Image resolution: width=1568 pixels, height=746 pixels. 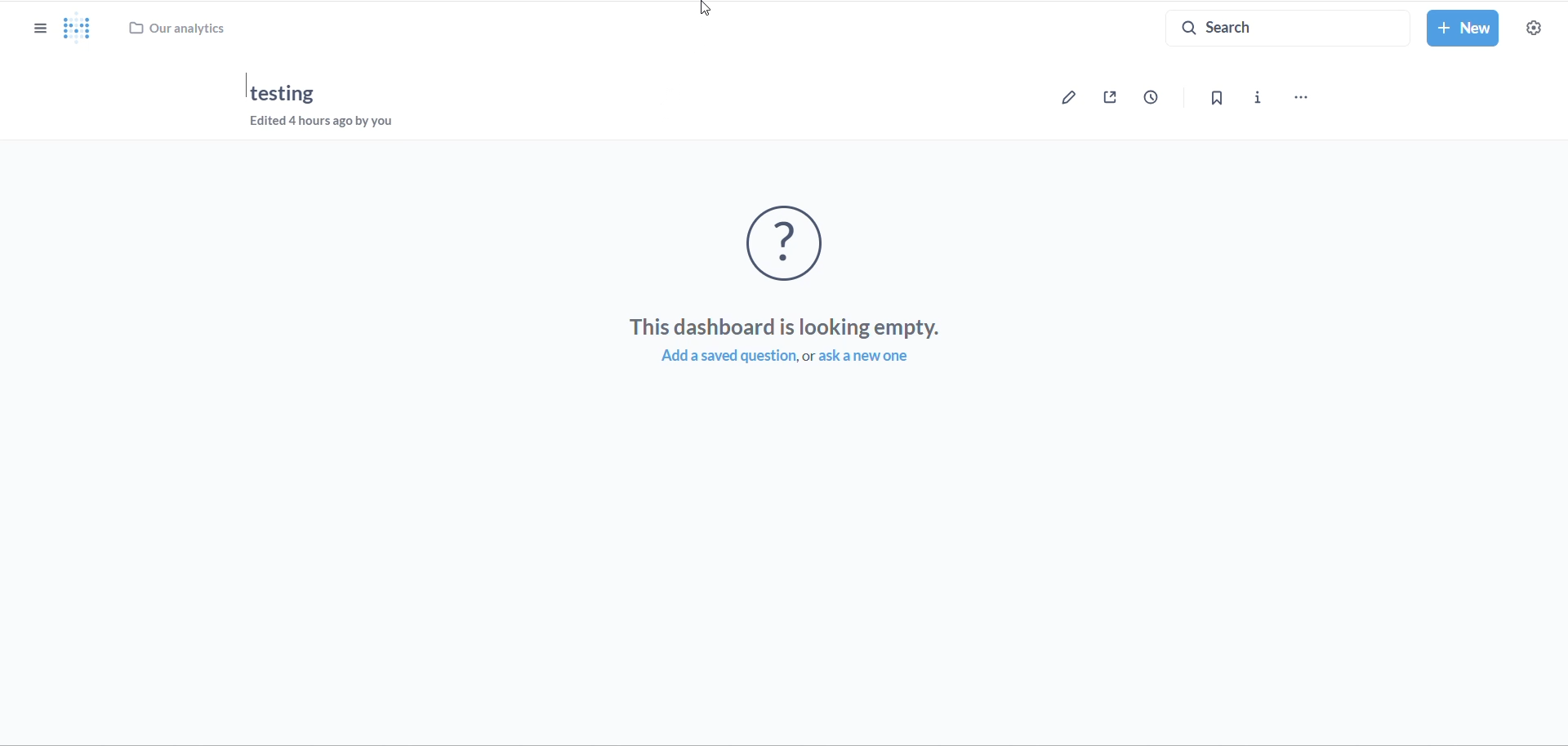 I want to click on edit, so click(x=1067, y=103).